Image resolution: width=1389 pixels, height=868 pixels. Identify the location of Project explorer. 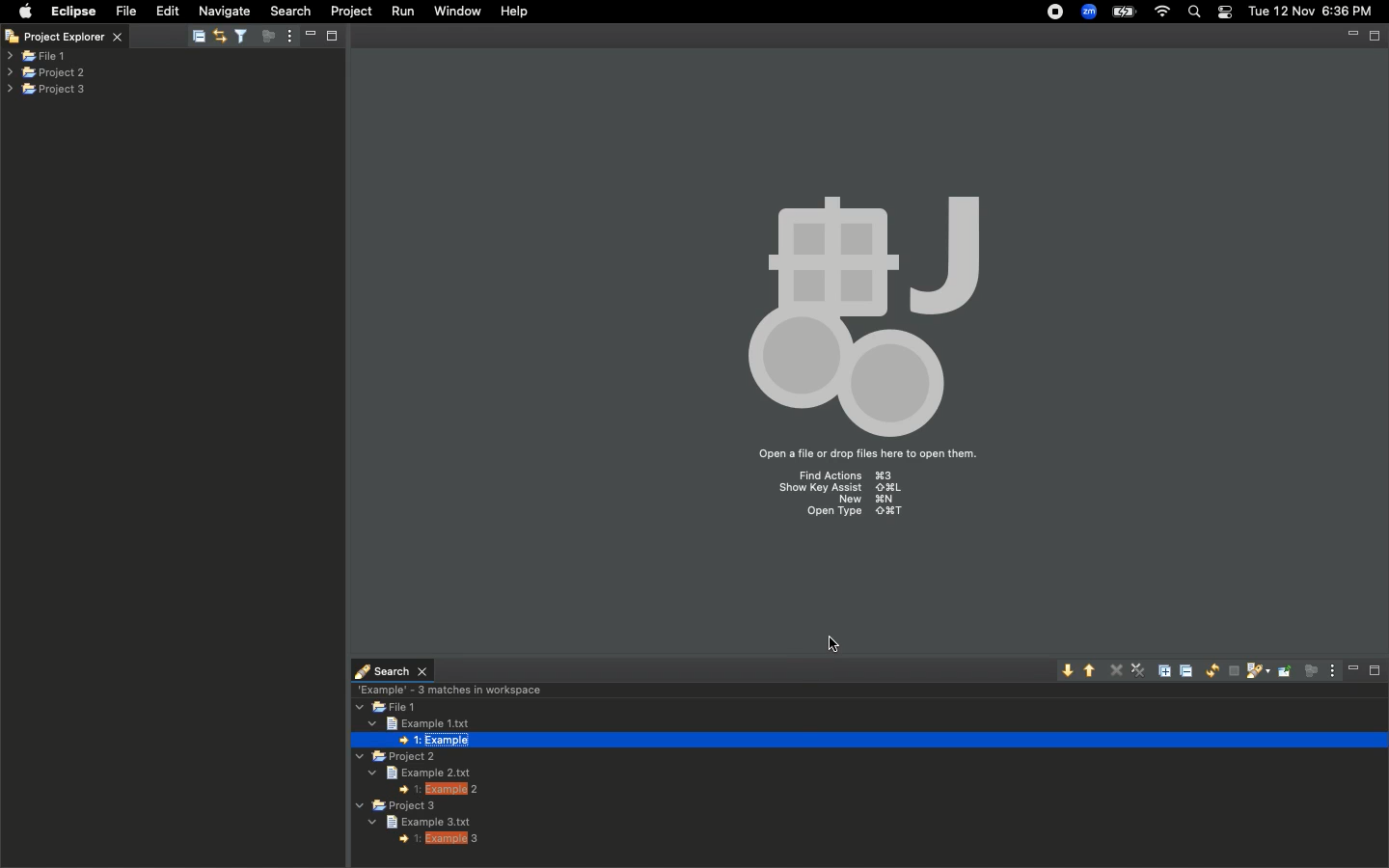
(77, 36).